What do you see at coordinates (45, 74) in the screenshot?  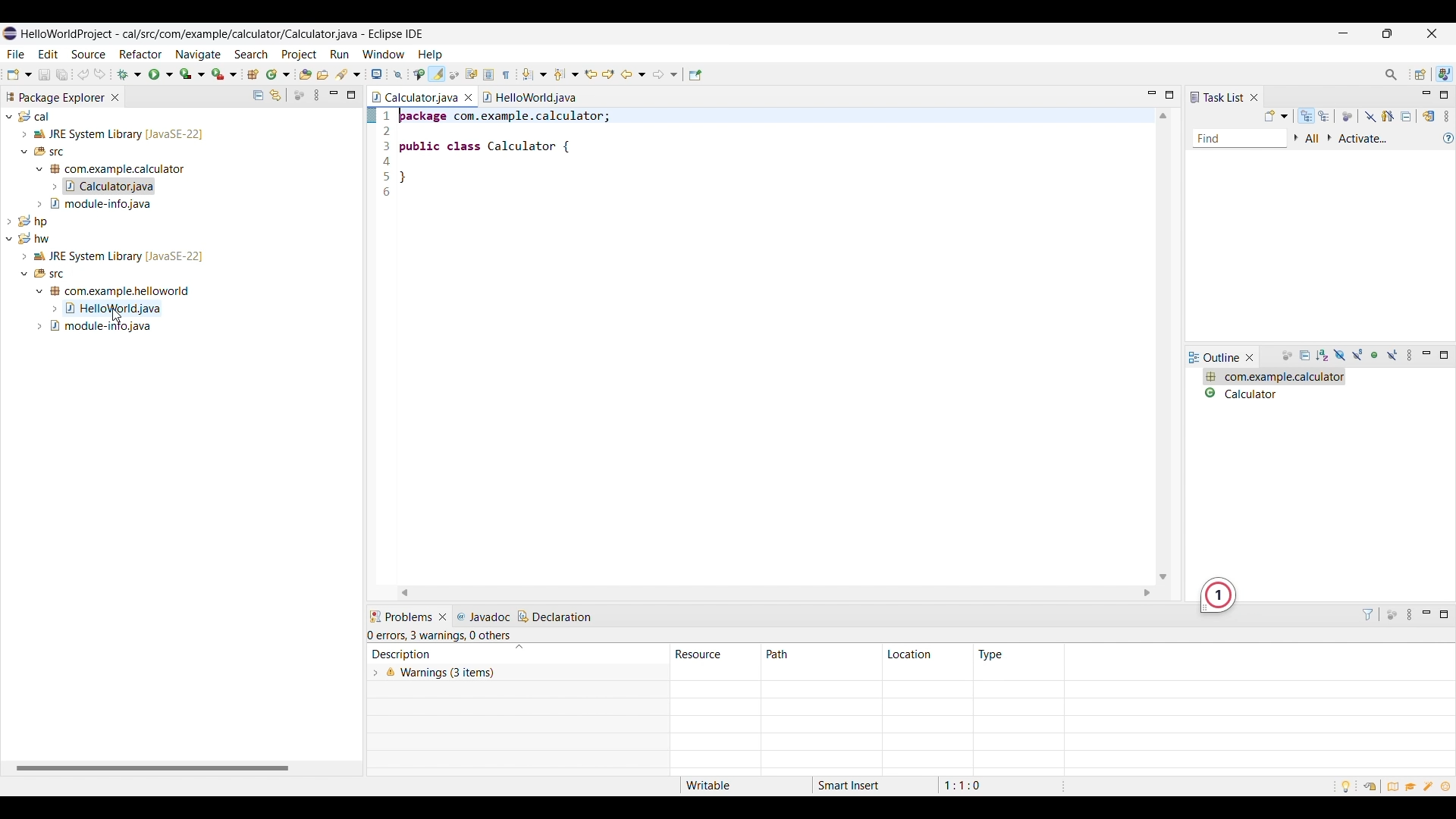 I see `Save` at bounding box center [45, 74].